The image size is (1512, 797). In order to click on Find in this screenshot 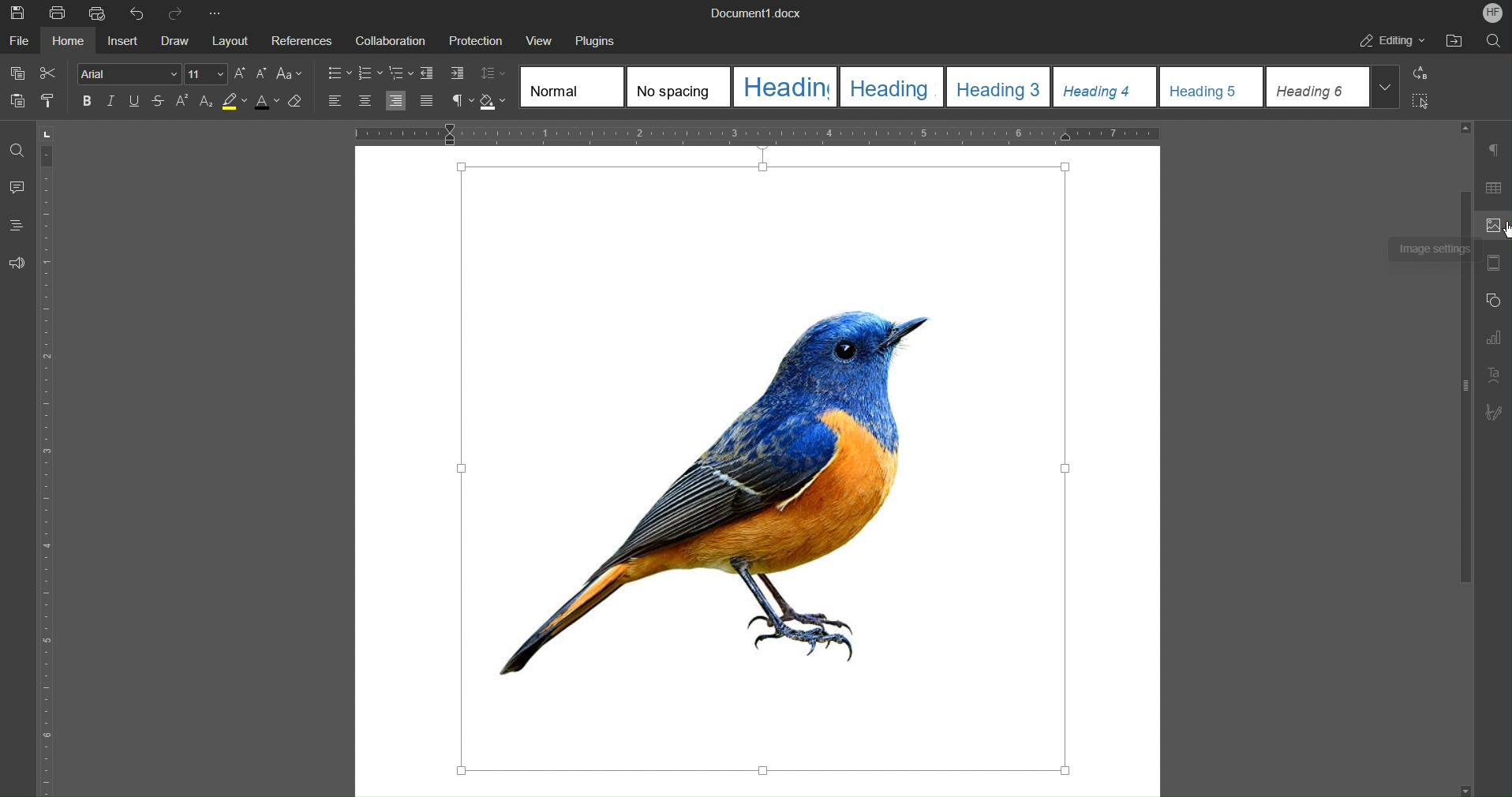, I will do `click(1491, 41)`.